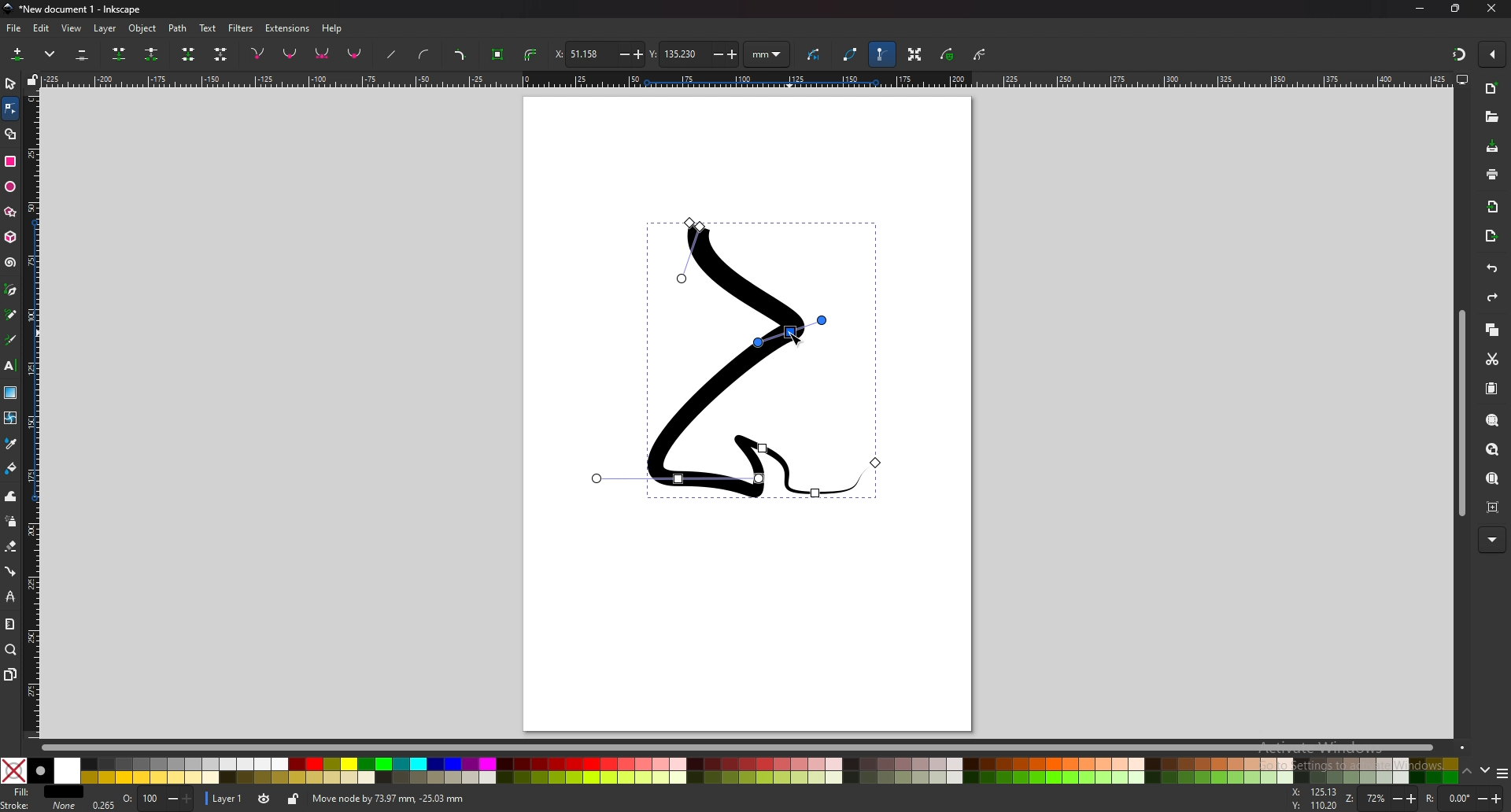  I want to click on x coordinates, so click(597, 54).